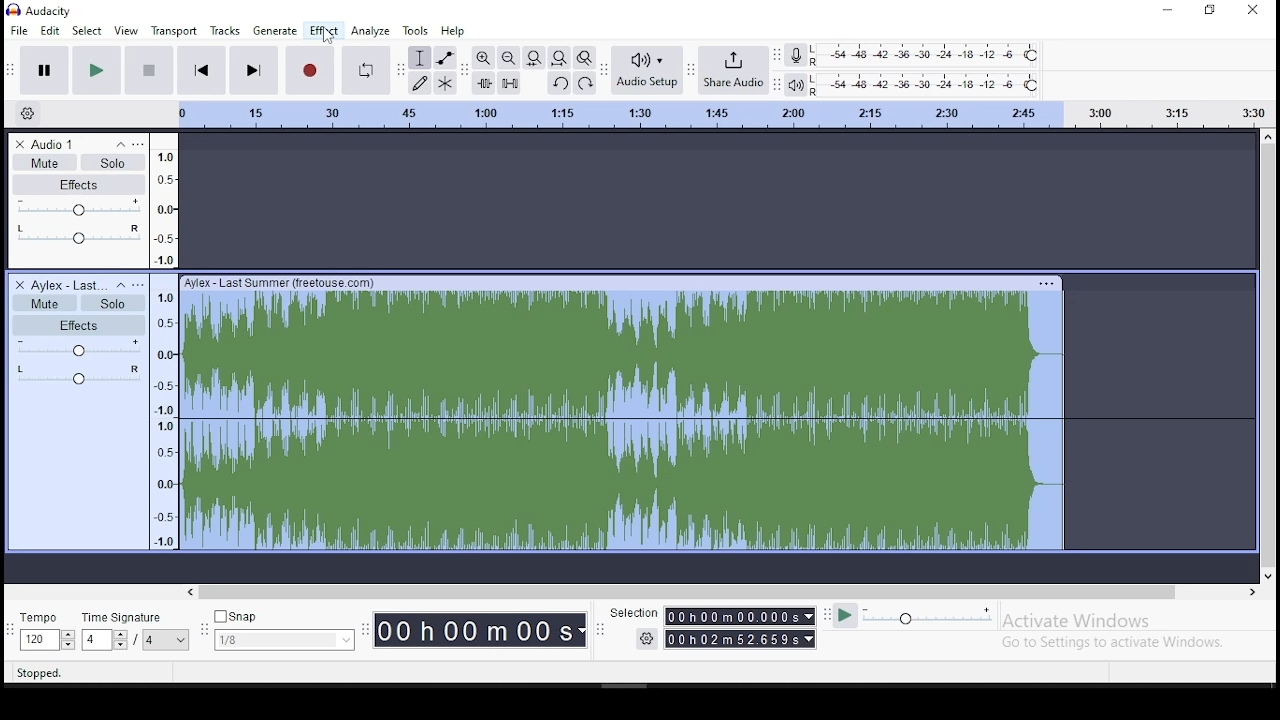 The width and height of the screenshot is (1280, 720). I want to click on file, so click(19, 30).